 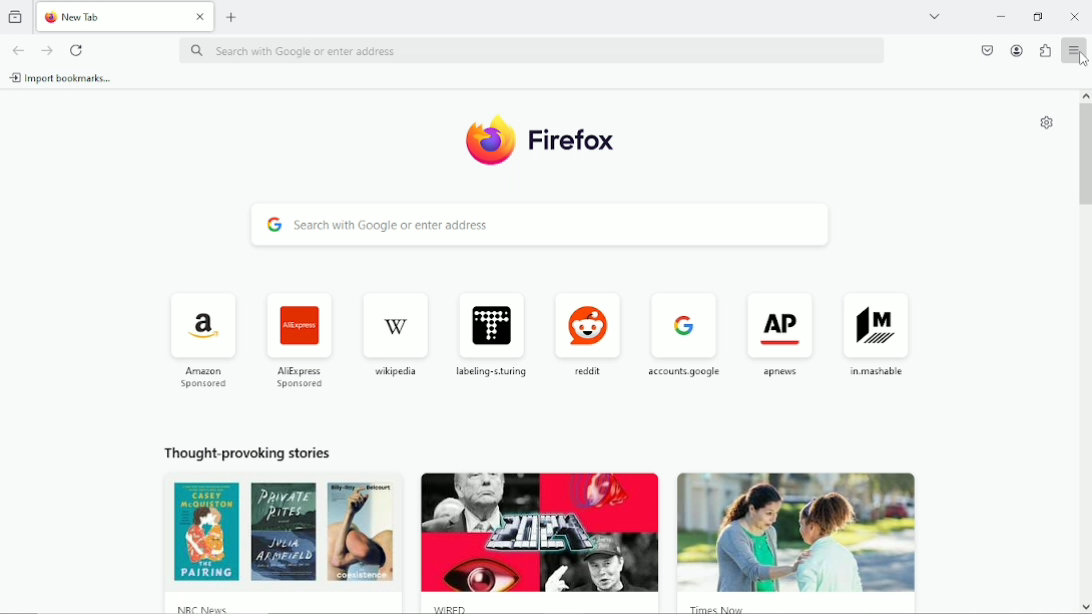 What do you see at coordinates (538, 226) in the screenshot?
I see `search bar` at bounding box center [538, 226].